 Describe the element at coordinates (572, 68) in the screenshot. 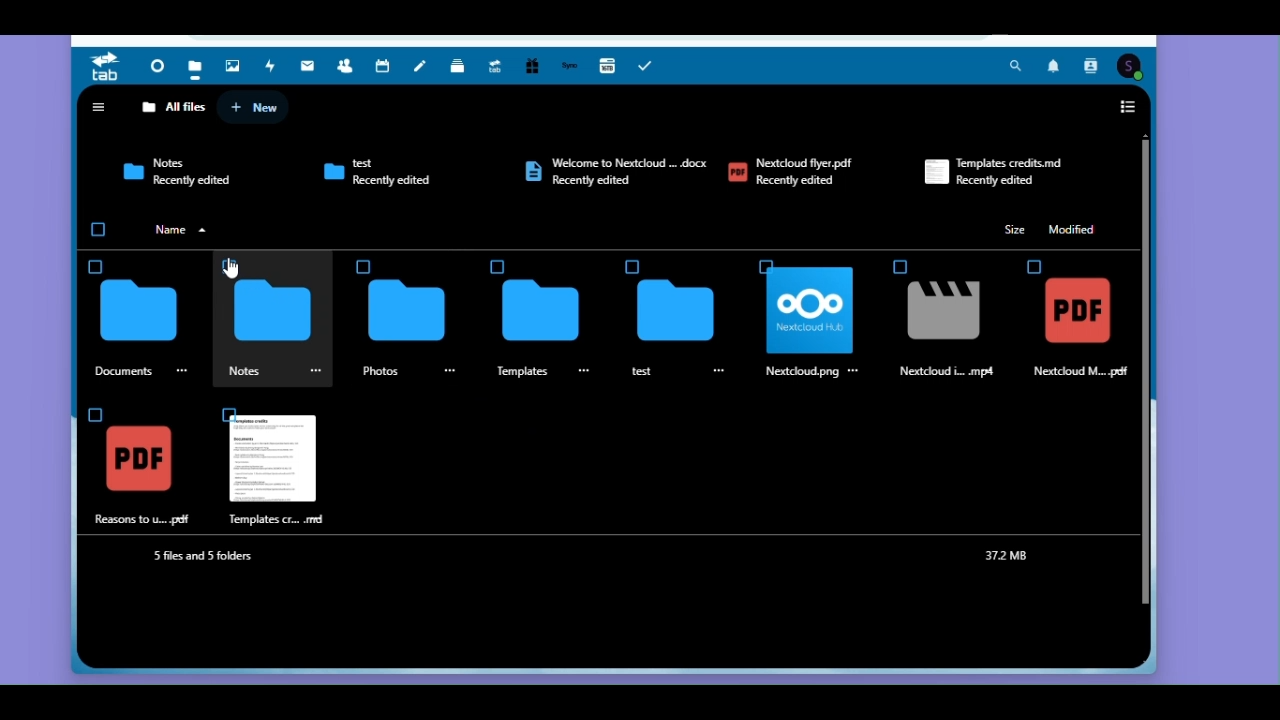

I see `Synology` at that location.